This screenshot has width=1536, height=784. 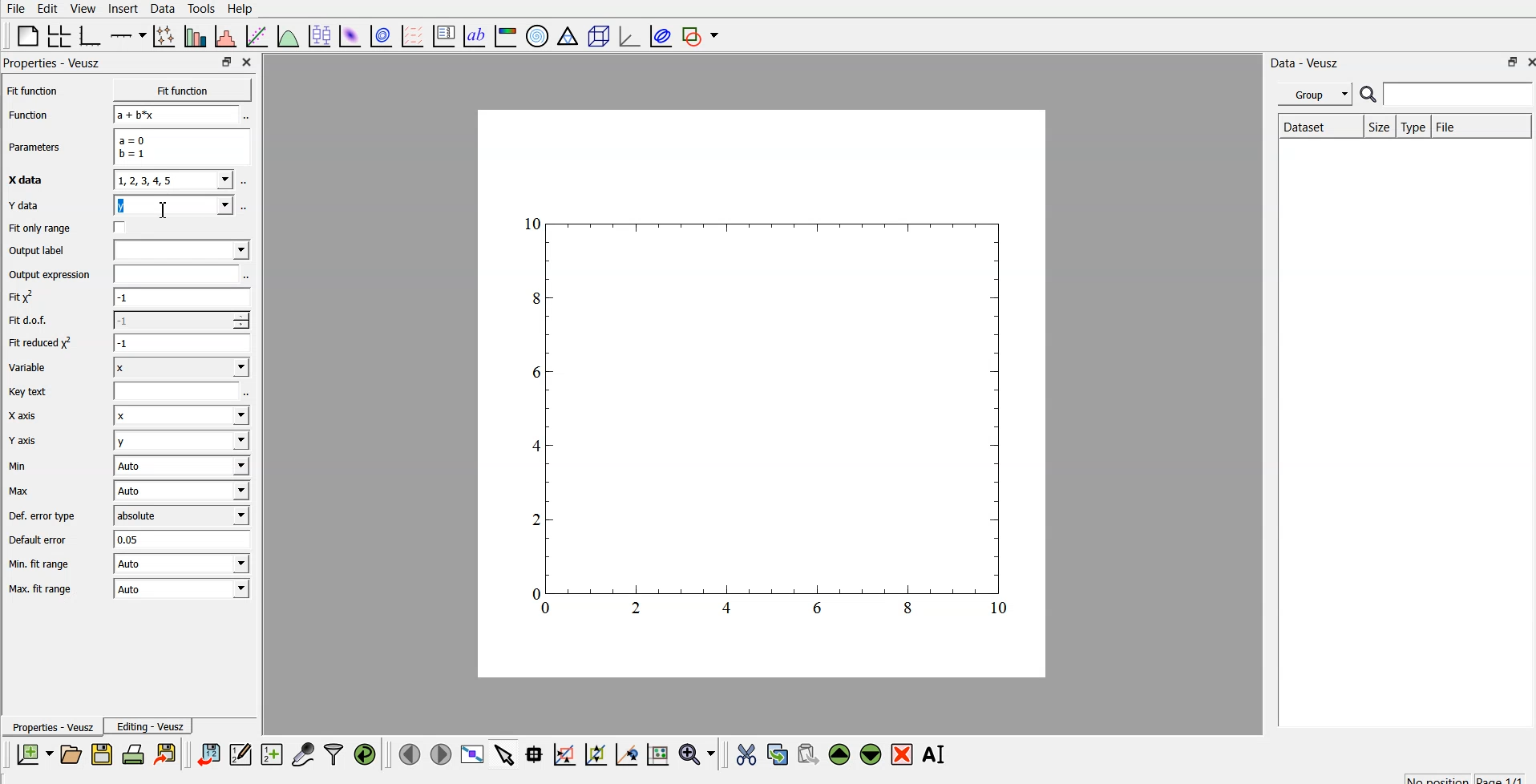 What do you see at coordinates (45, 8) in the screenshot?
I see `edit` at bounding box center [45, 8].